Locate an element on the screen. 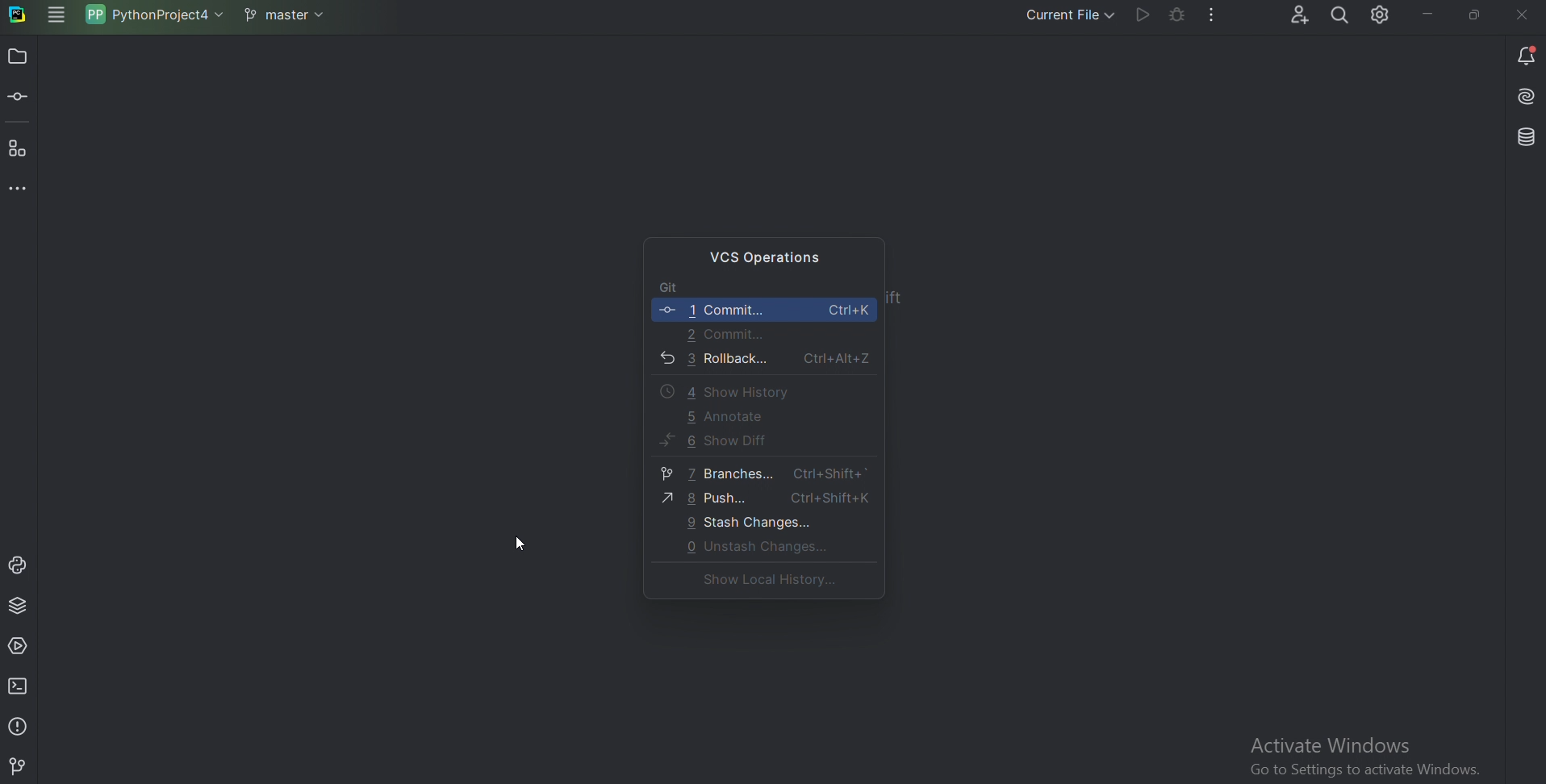  VCS Operations is located at coordinates (769, 254).